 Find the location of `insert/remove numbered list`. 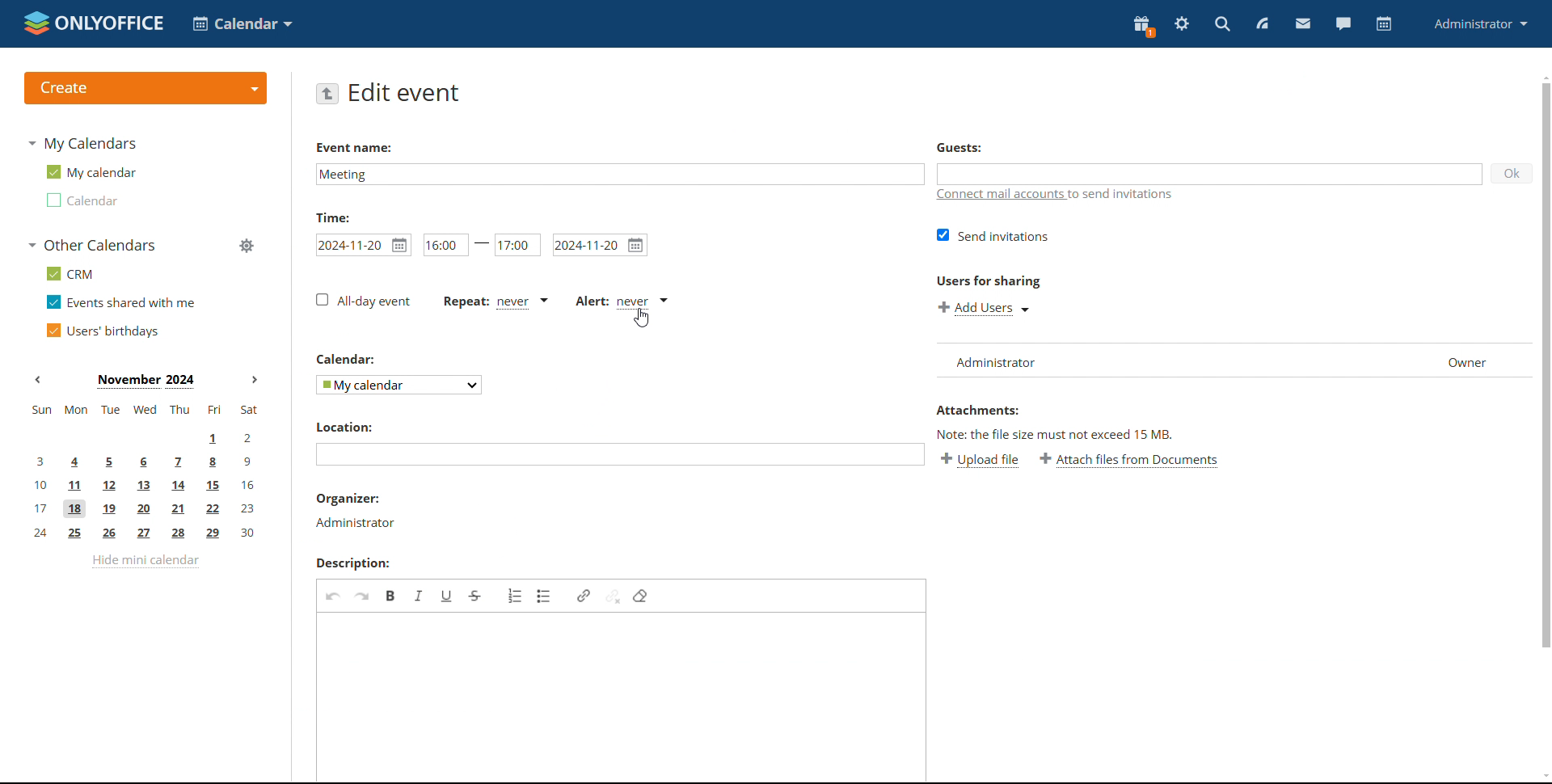

insert/remove numbered list is located at coordinates (516, 596).